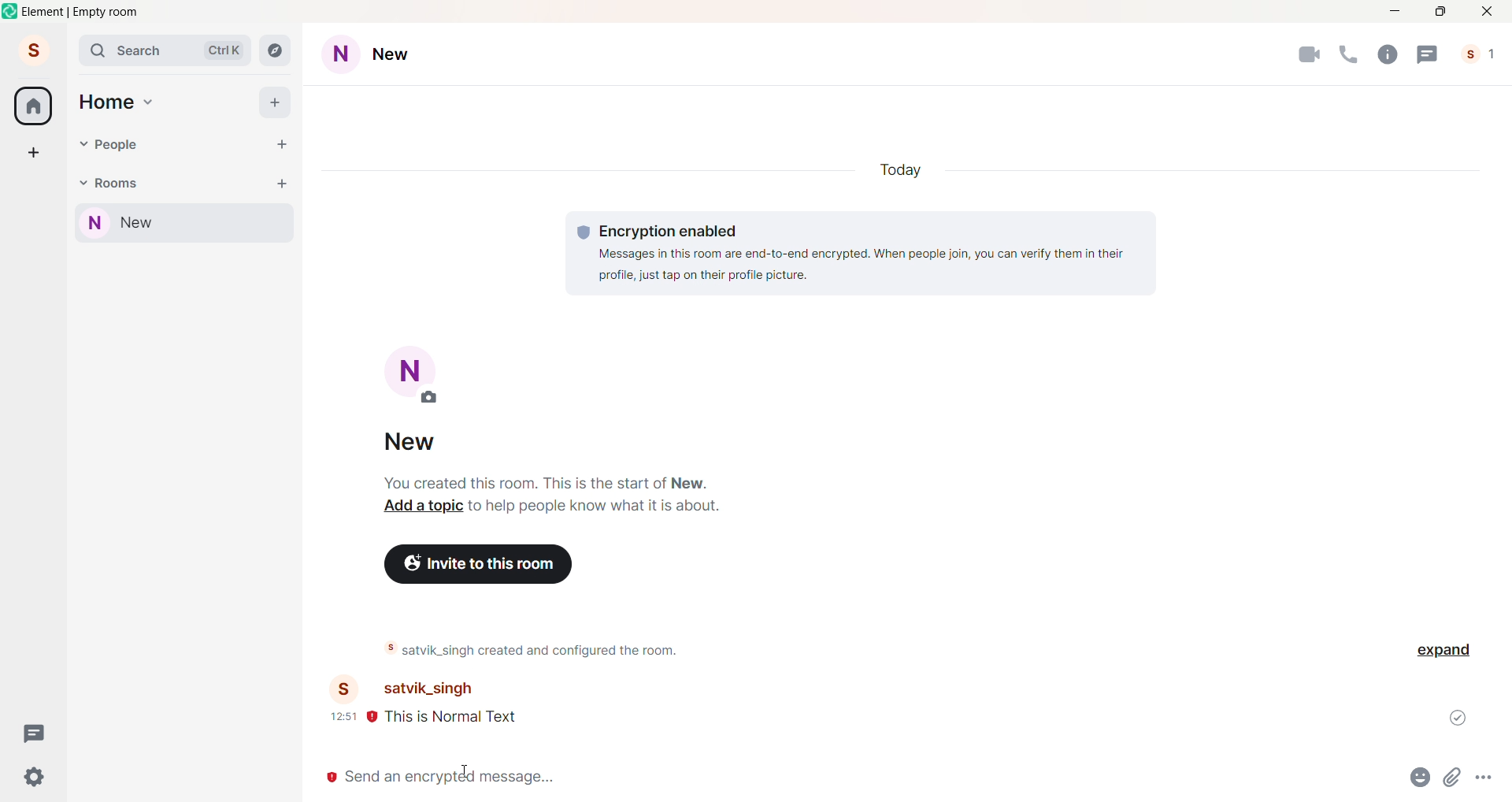  Describe the element at coordinates (466, 772) in the screenshot. I see `cursor` at that location.